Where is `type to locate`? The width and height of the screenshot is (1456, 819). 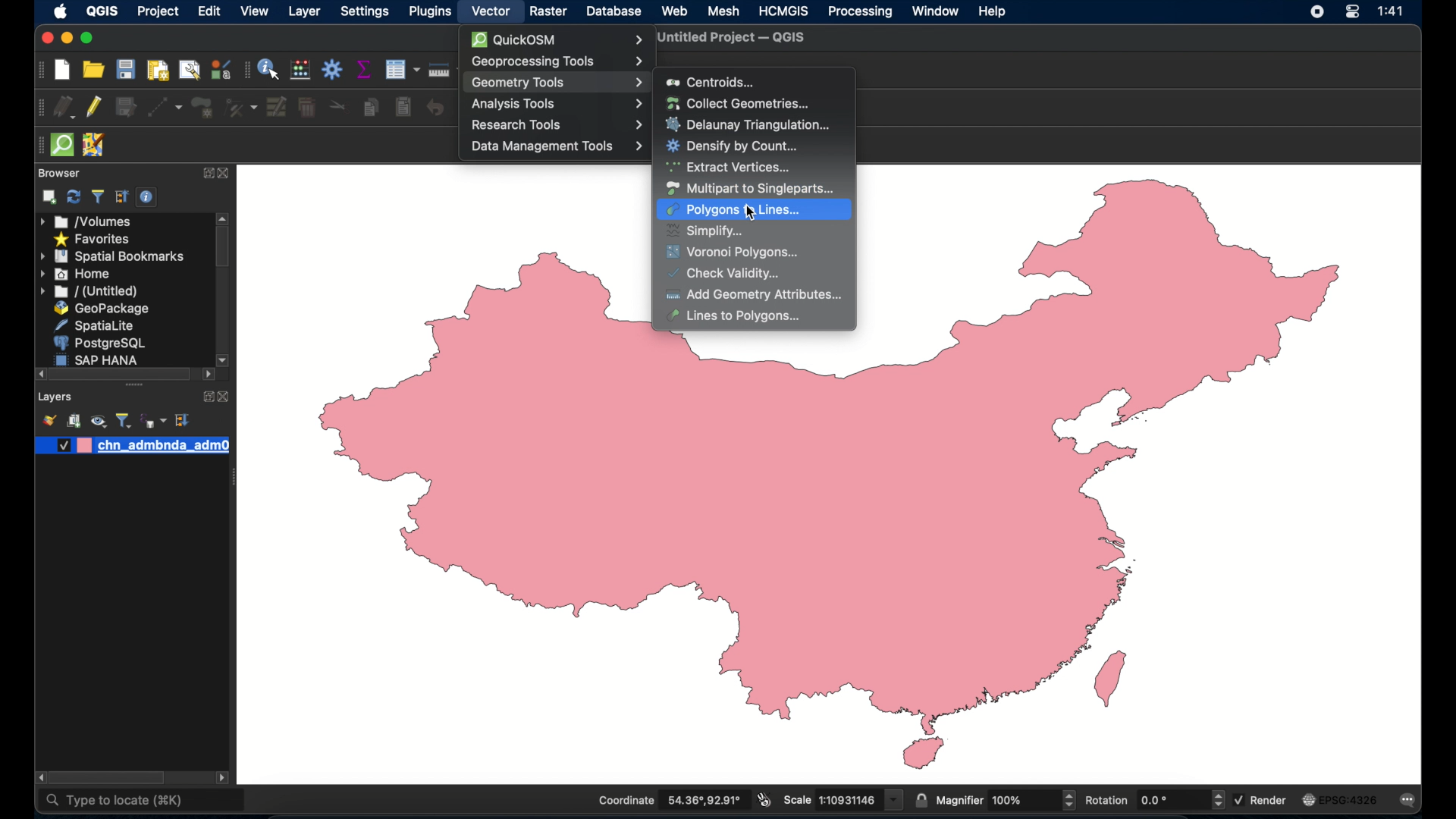
type to locate is located at coordinates (114, 803).